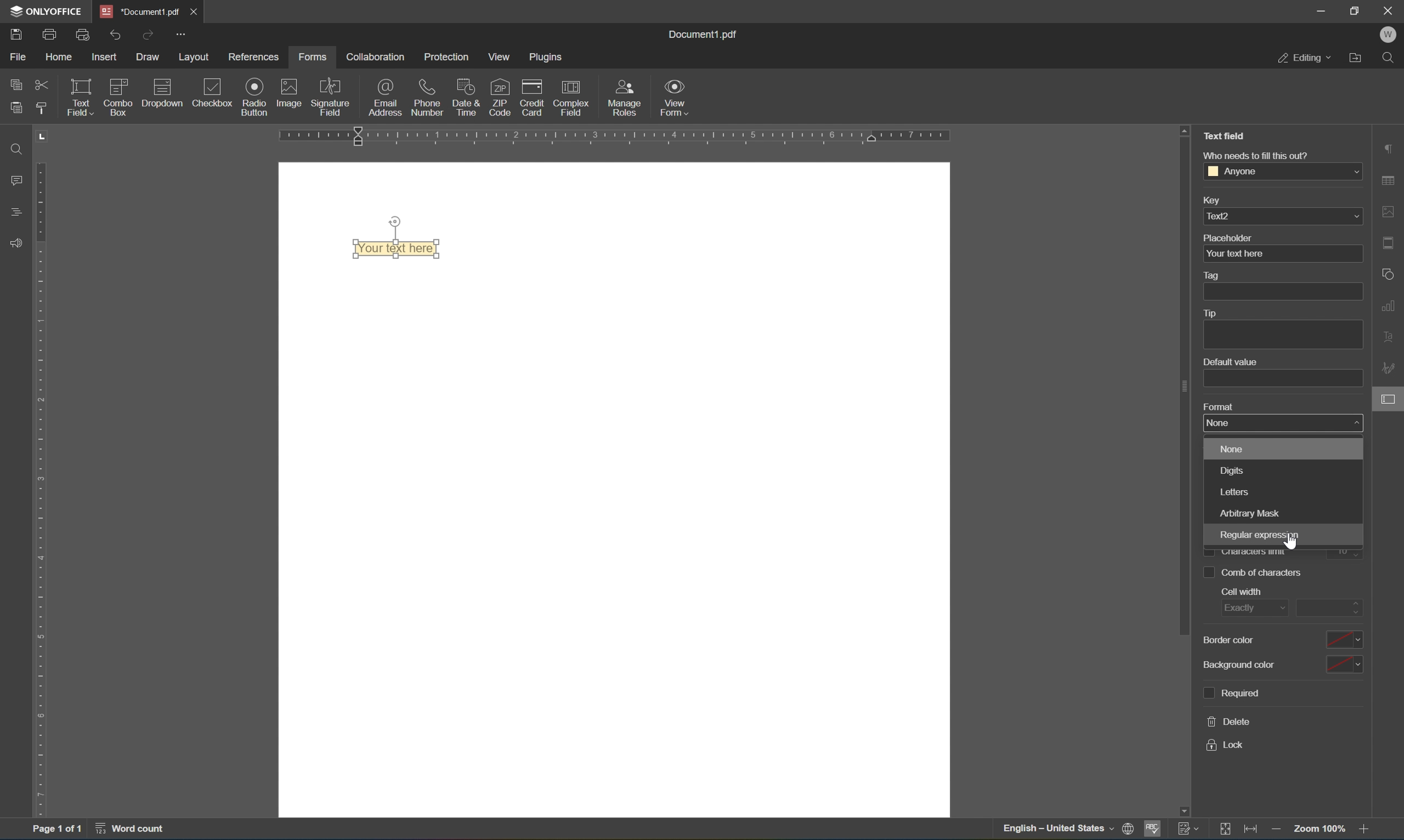  Describe the element at coordinates (48, 33) in the screenshot. I see `print` at that location.